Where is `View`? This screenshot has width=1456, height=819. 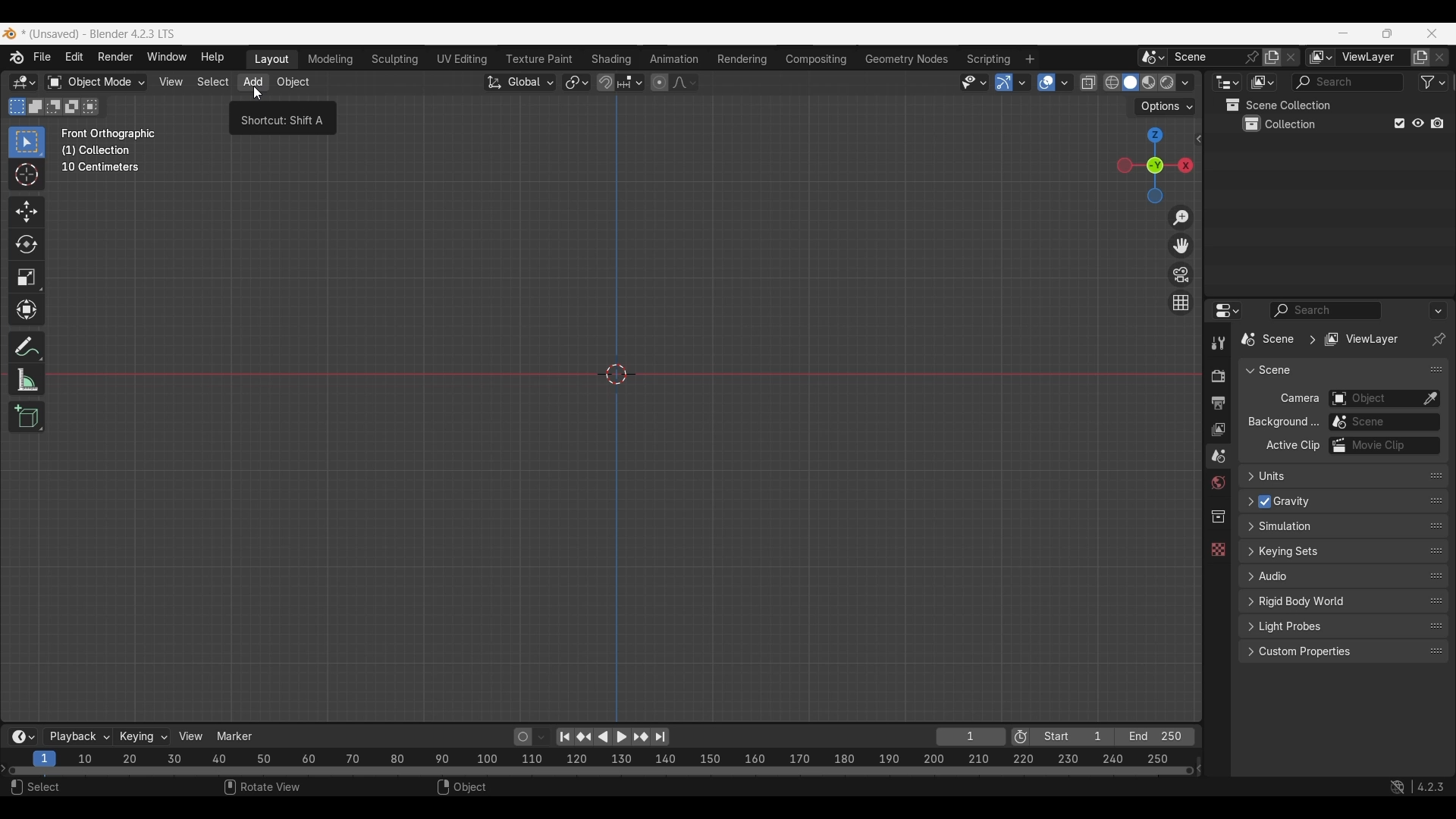 View is located at coordinates (191, 736).